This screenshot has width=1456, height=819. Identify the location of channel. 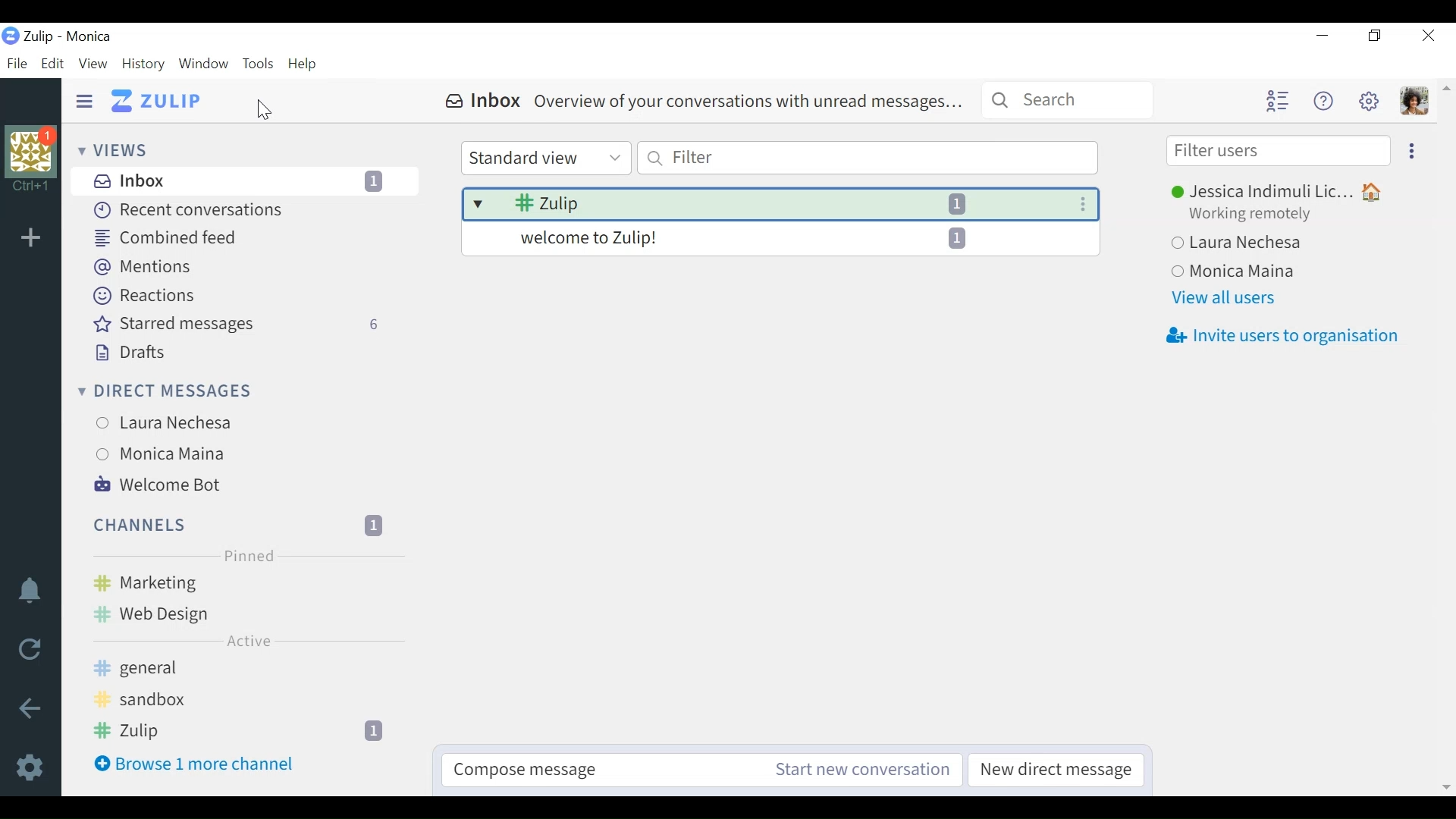
(250, 732).